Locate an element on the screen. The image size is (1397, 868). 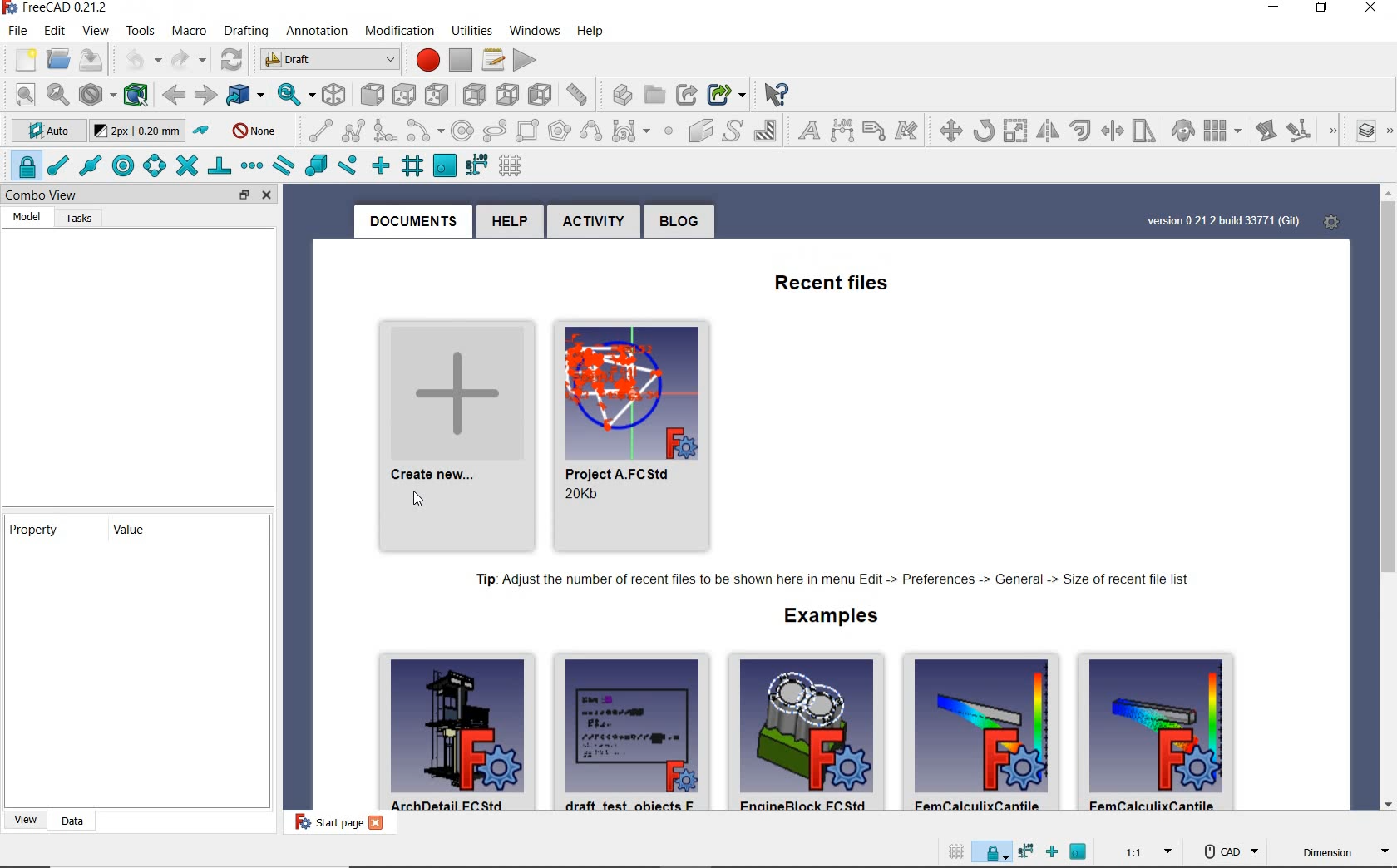
edit is located at coordinates (1265, 131).